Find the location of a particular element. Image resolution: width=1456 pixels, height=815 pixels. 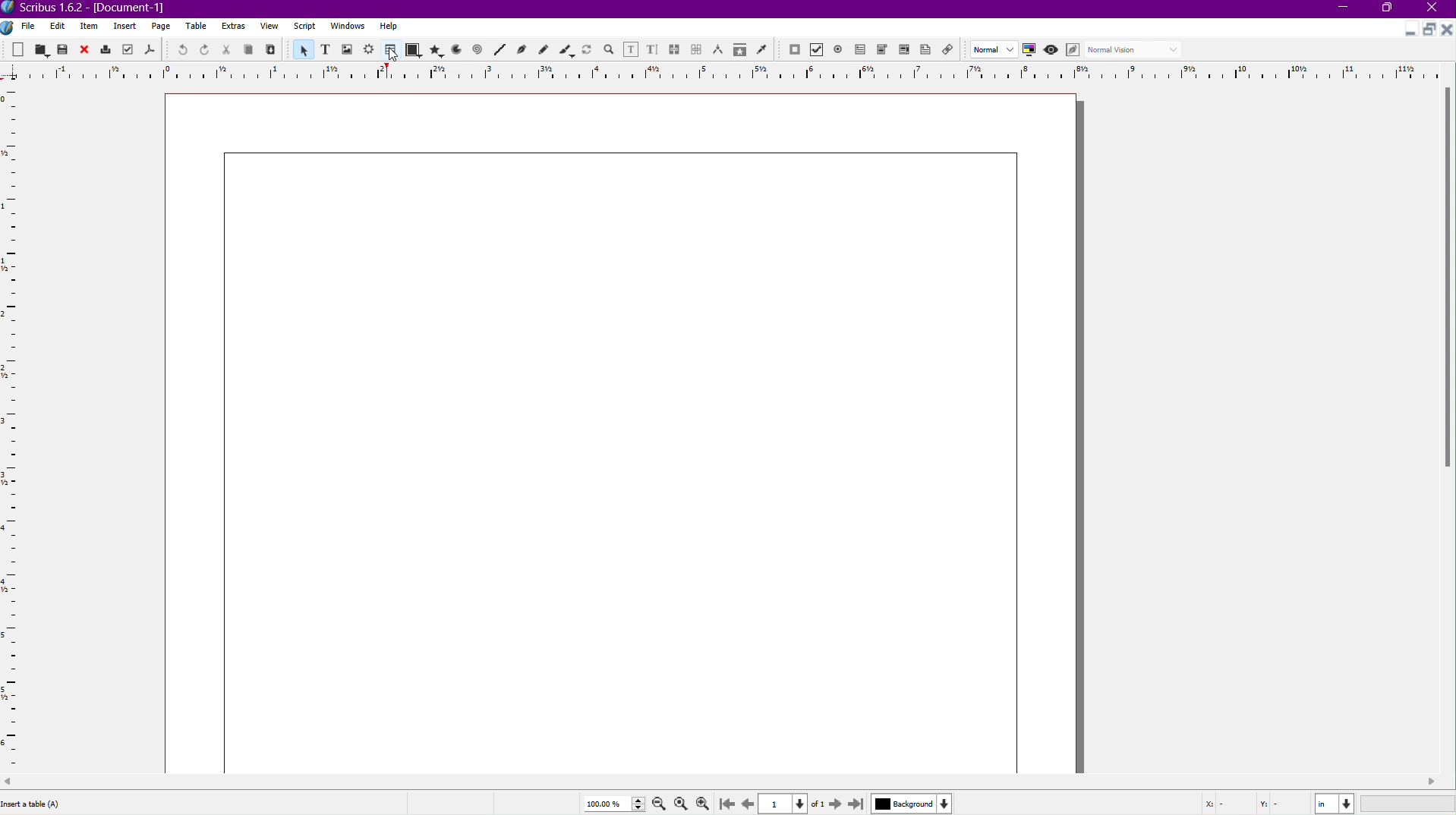

Scrollbar is located at coordinates (728, 782).